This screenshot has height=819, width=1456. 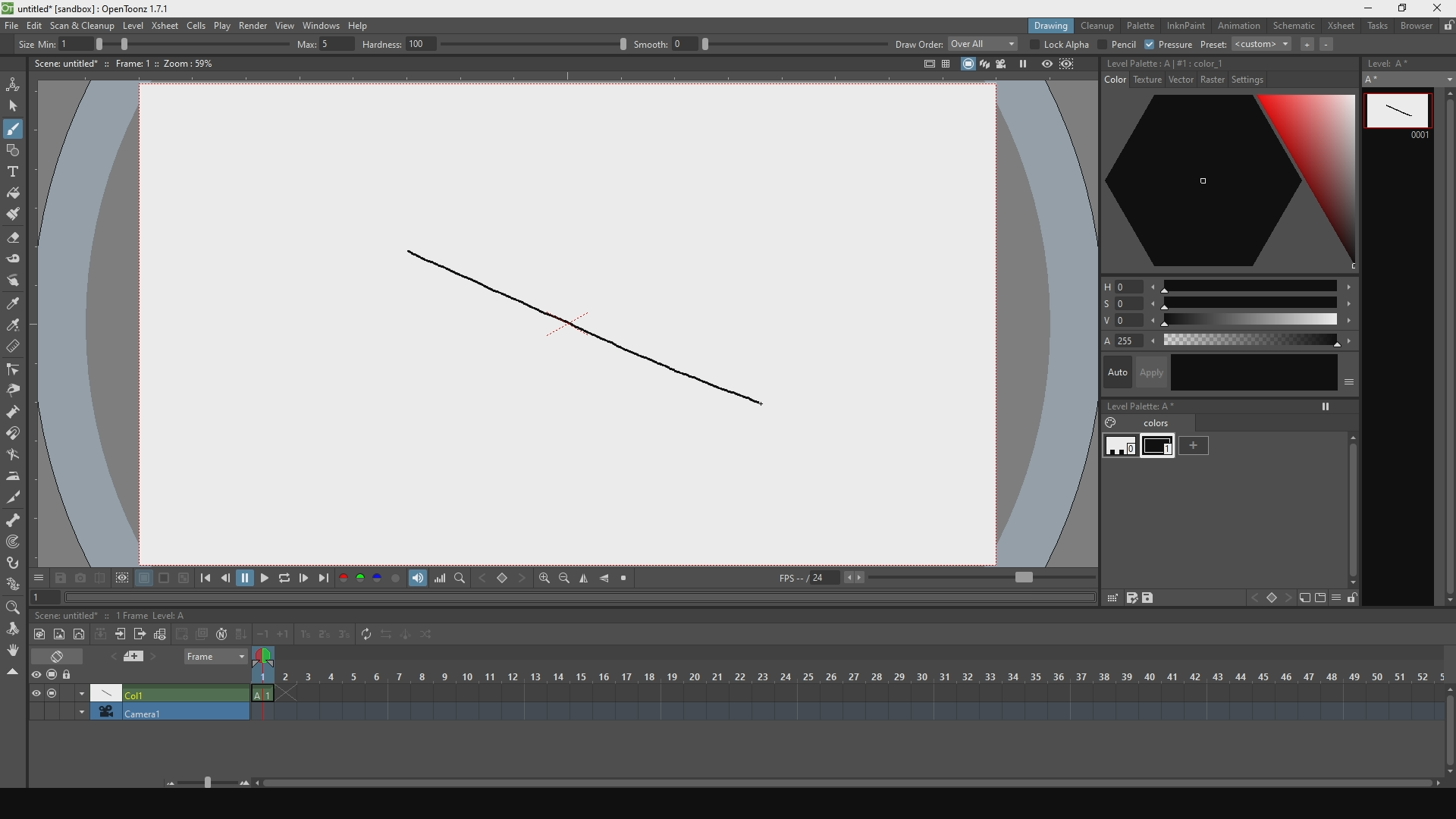 What do you see at coordinates (965, 67) in the screenshot?
I see `stop` at bounding box center [965, 67].